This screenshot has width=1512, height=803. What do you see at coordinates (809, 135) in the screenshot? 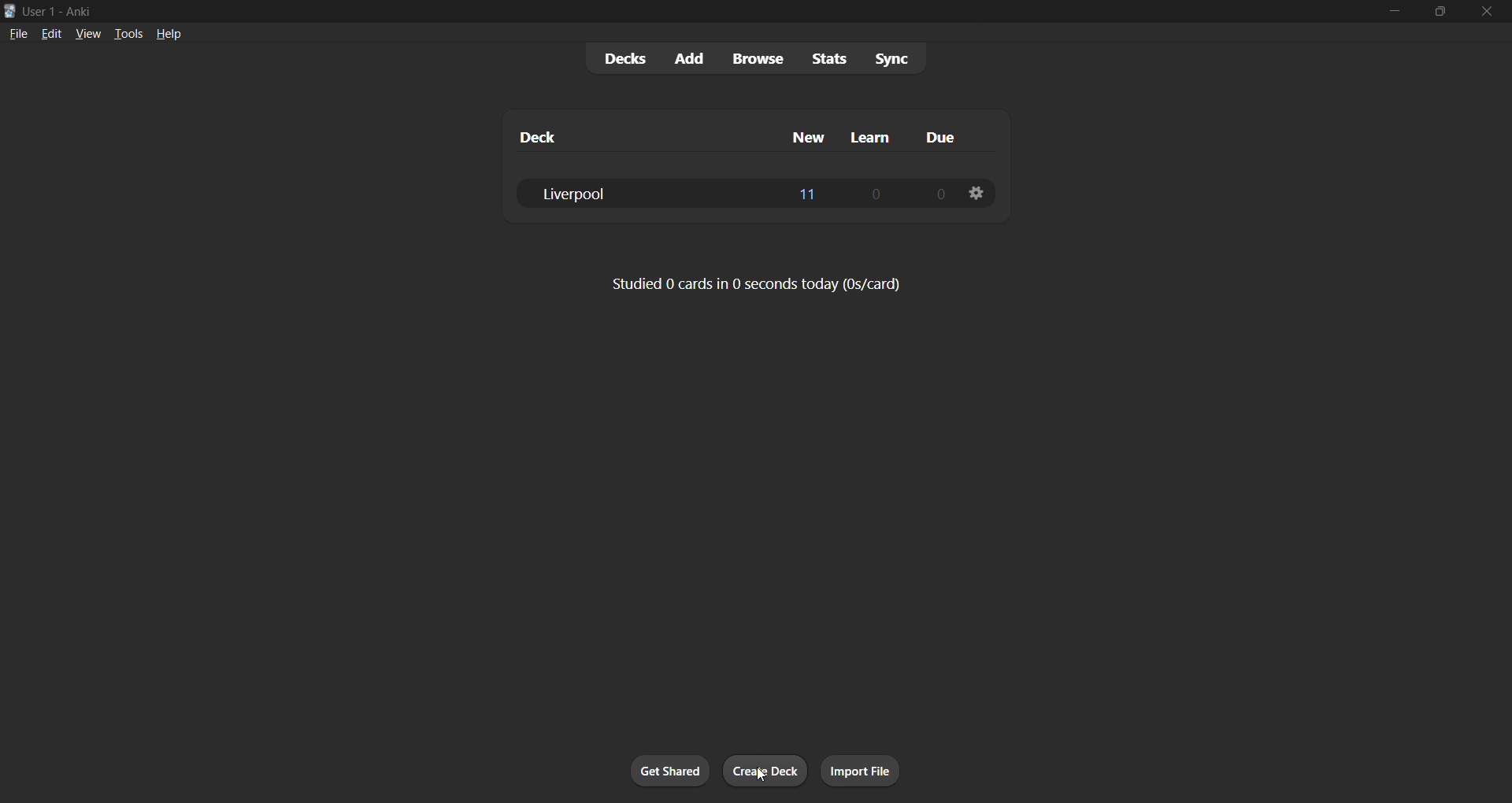
I see `new column` at bounding box center [809, 135].